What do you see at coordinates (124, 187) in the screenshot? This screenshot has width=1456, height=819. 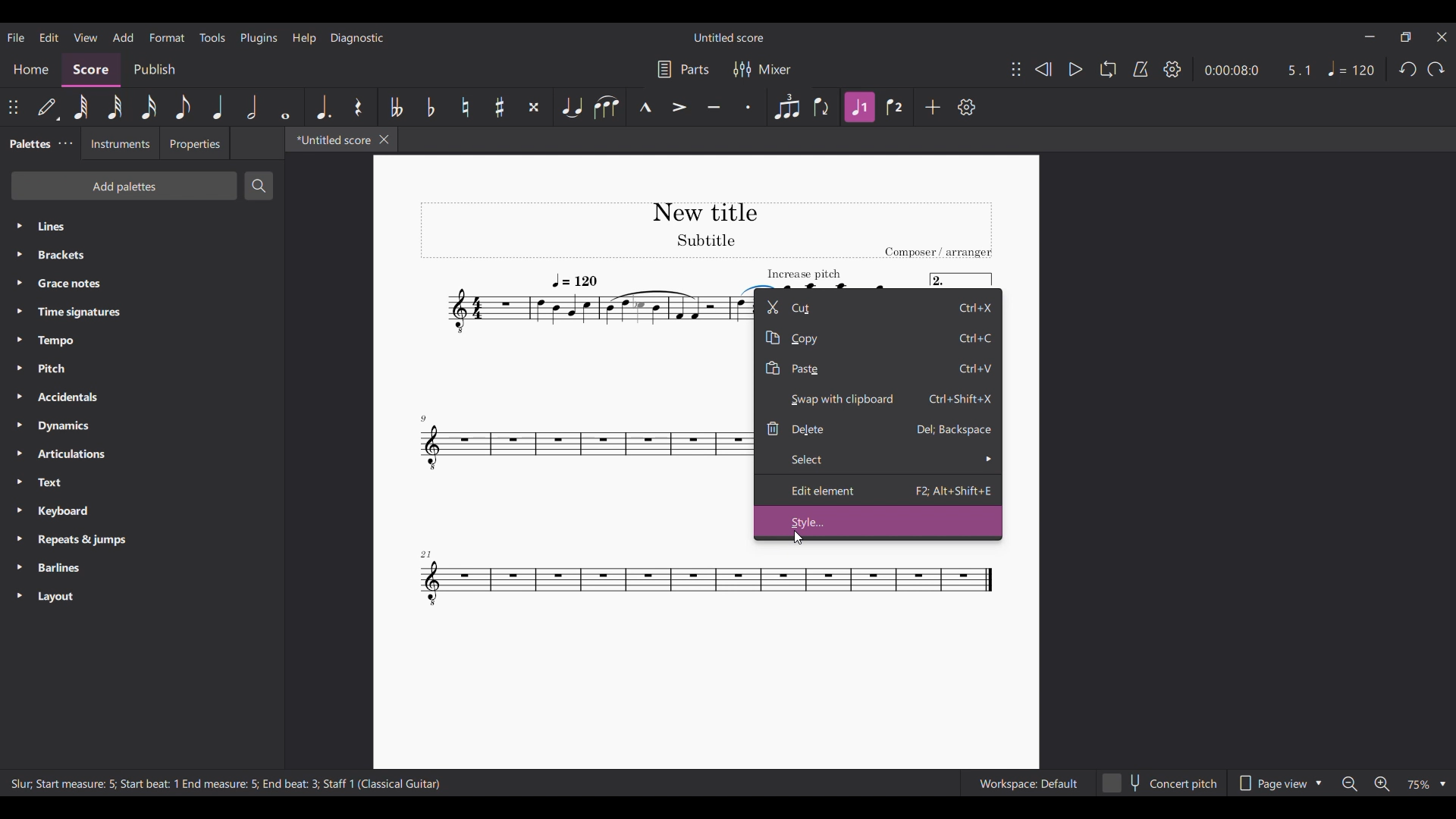 I see `Add palettes` at bounding box center [124, 187].